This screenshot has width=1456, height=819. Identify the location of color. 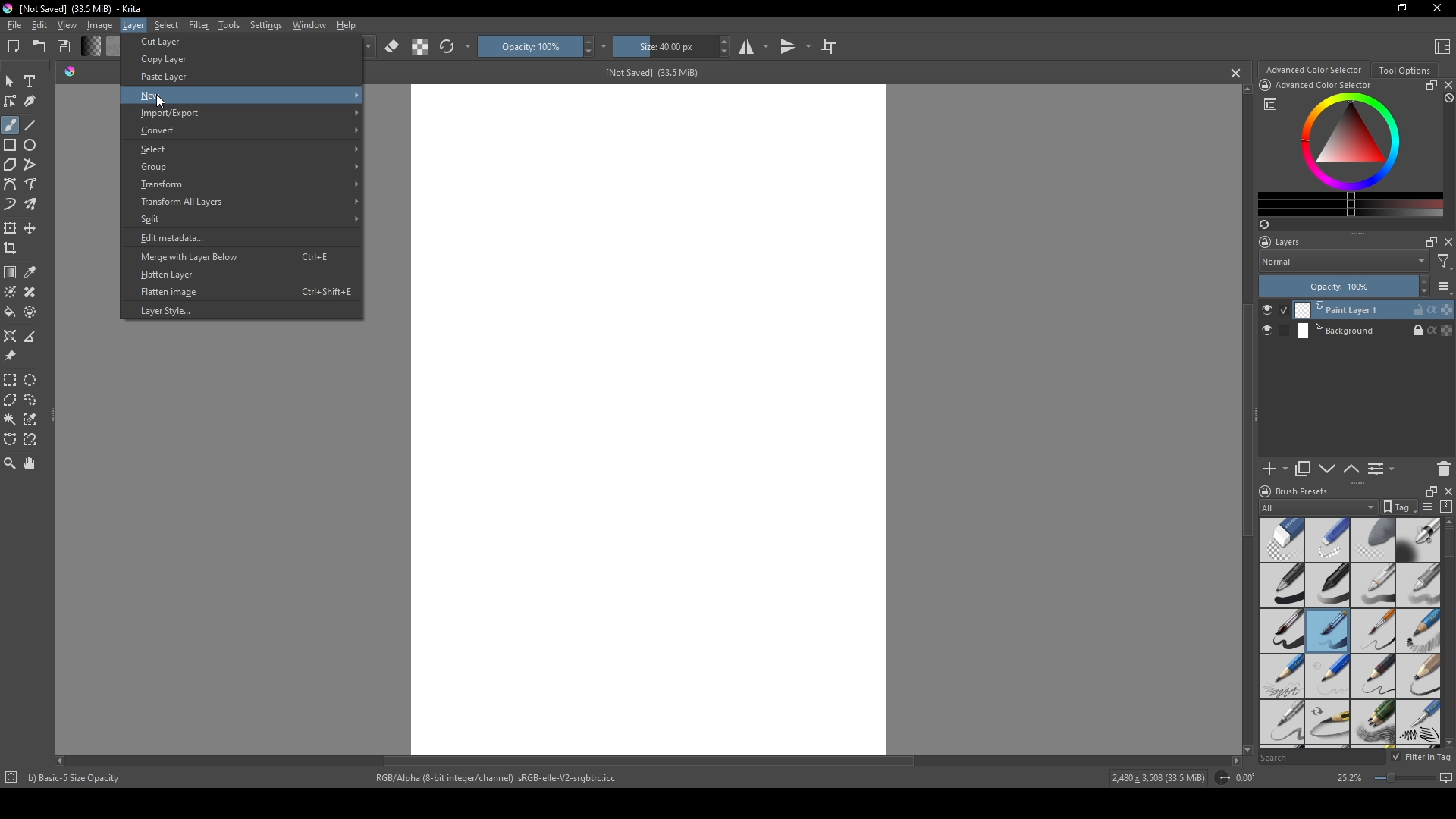
(115, 46).